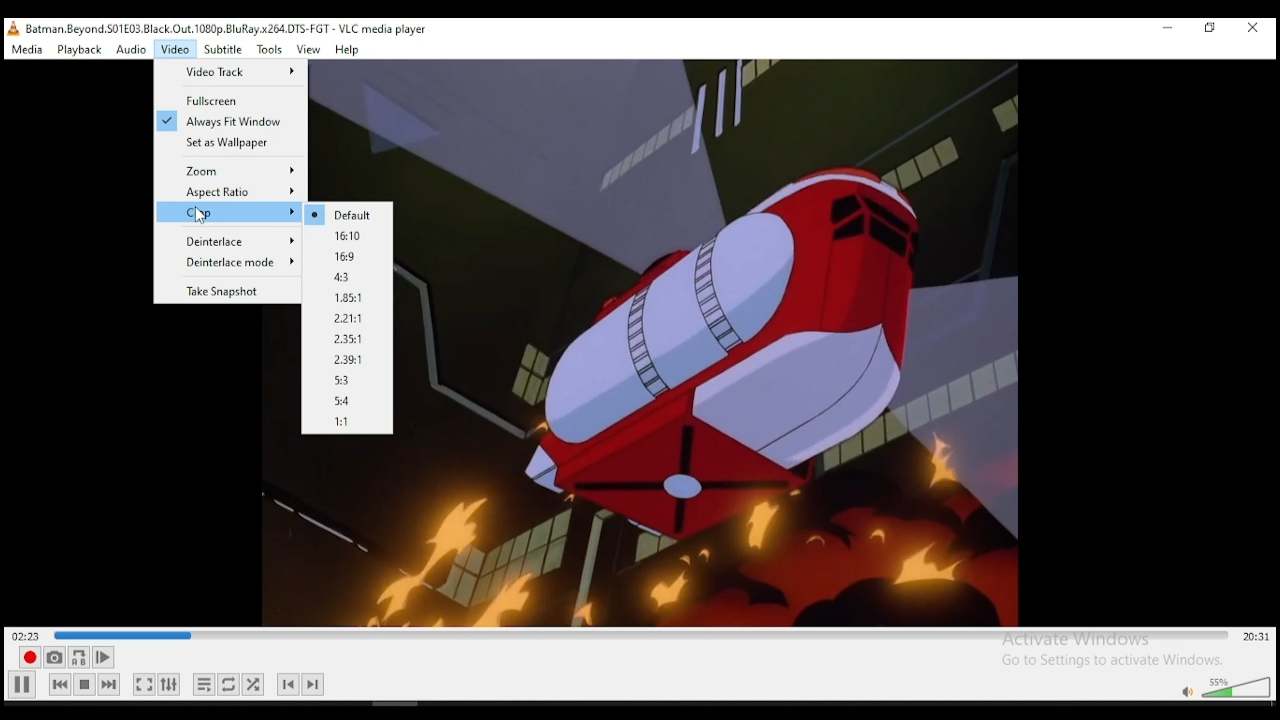 The height and width of the screenshot is (720, 1280). What do you see at coordinates (80, 656) in the screenshot?
I see `loop between point A and point B.. click to add point A` at bounding box center [80, 656].